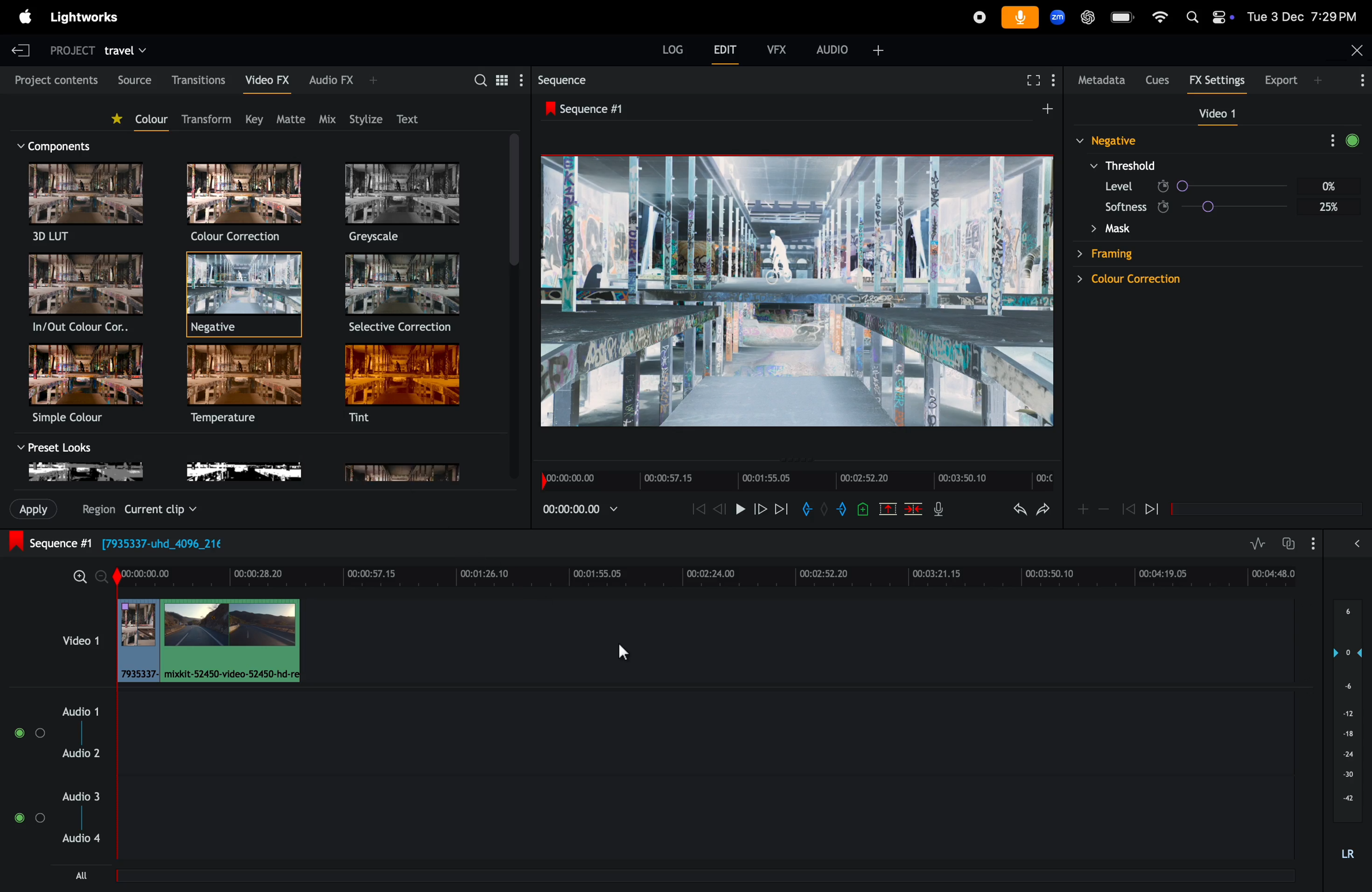 Image resolution: width=1372 pixels, height=892 pixels. Describe the element at coordinates (1316, 82) in the screenshot. I see `export` at that location.